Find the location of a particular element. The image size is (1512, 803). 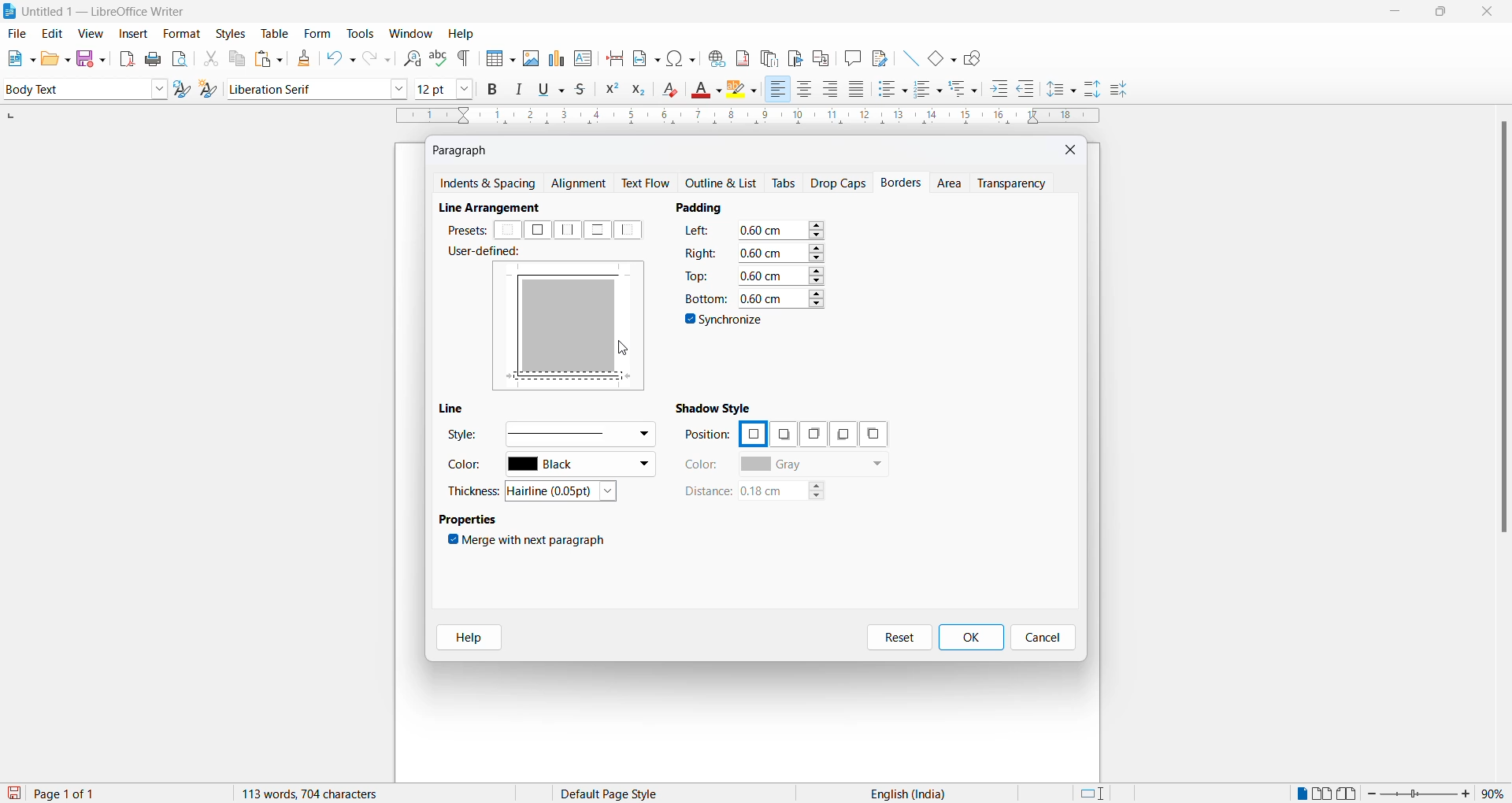

insert comments is located at coordinates (849, 57).